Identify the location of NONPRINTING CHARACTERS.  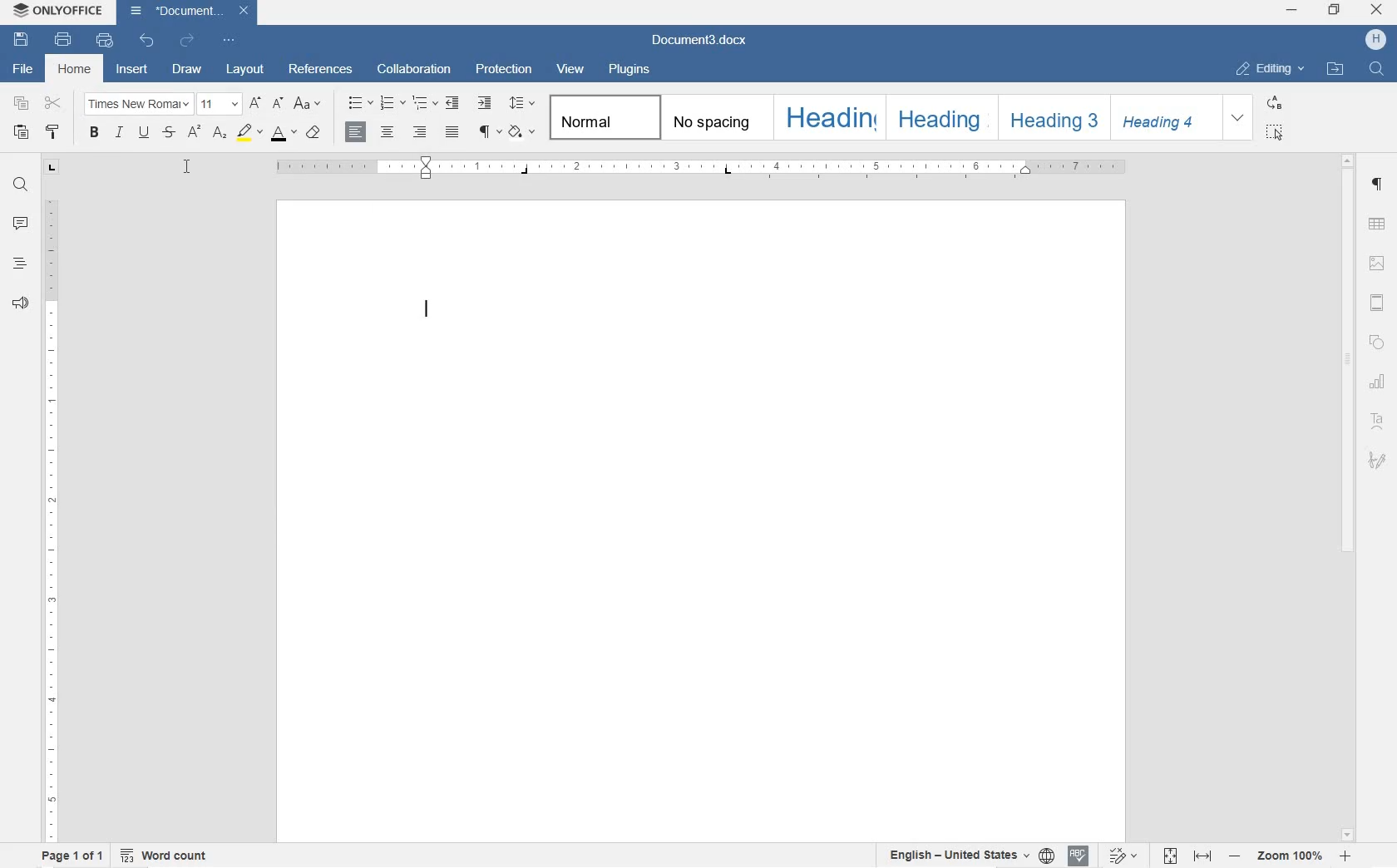
(490, 131).